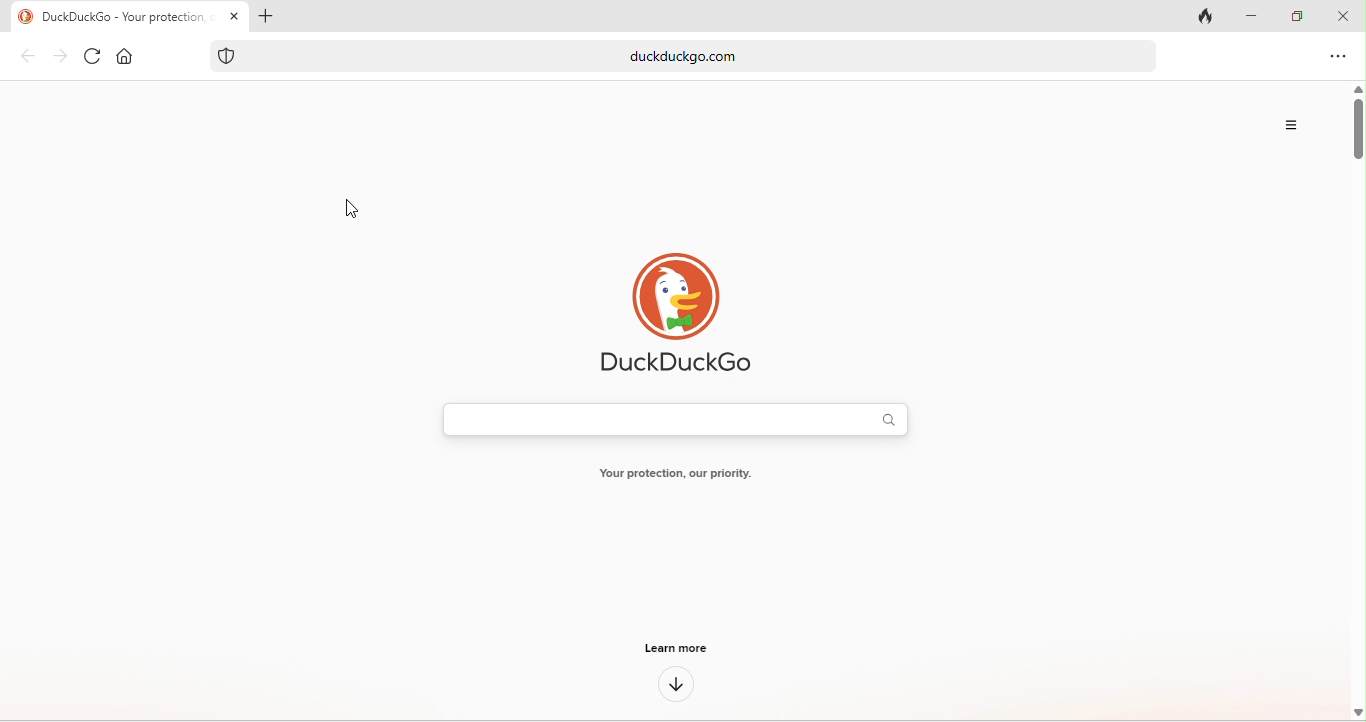  I want to click on vertical scroll bar, so click(1356, 119).